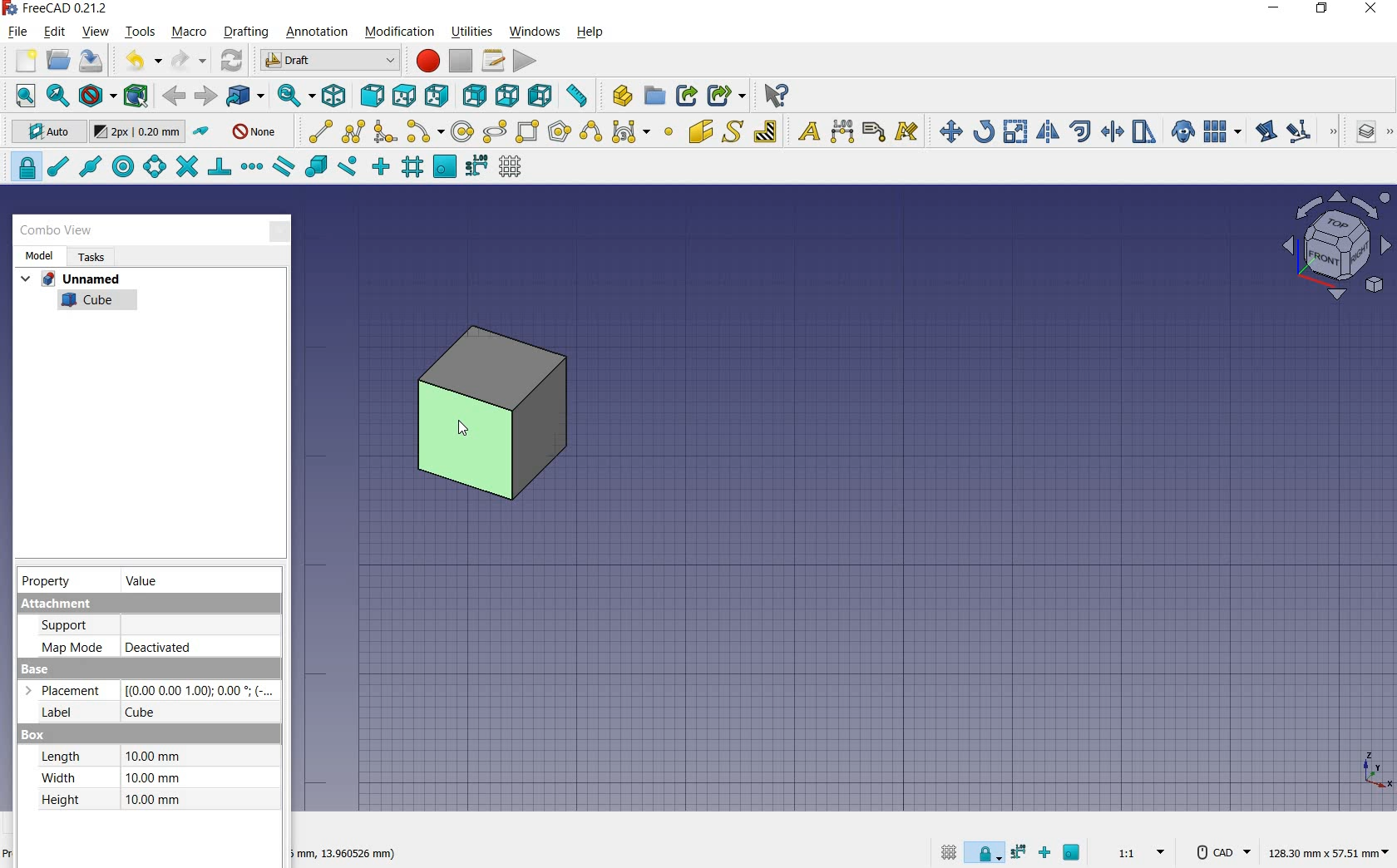 The height and width of the screenshot is (868, 1397). Describe the element at coordinates (205, 96) in the screenshot. I see `forward` at that location.